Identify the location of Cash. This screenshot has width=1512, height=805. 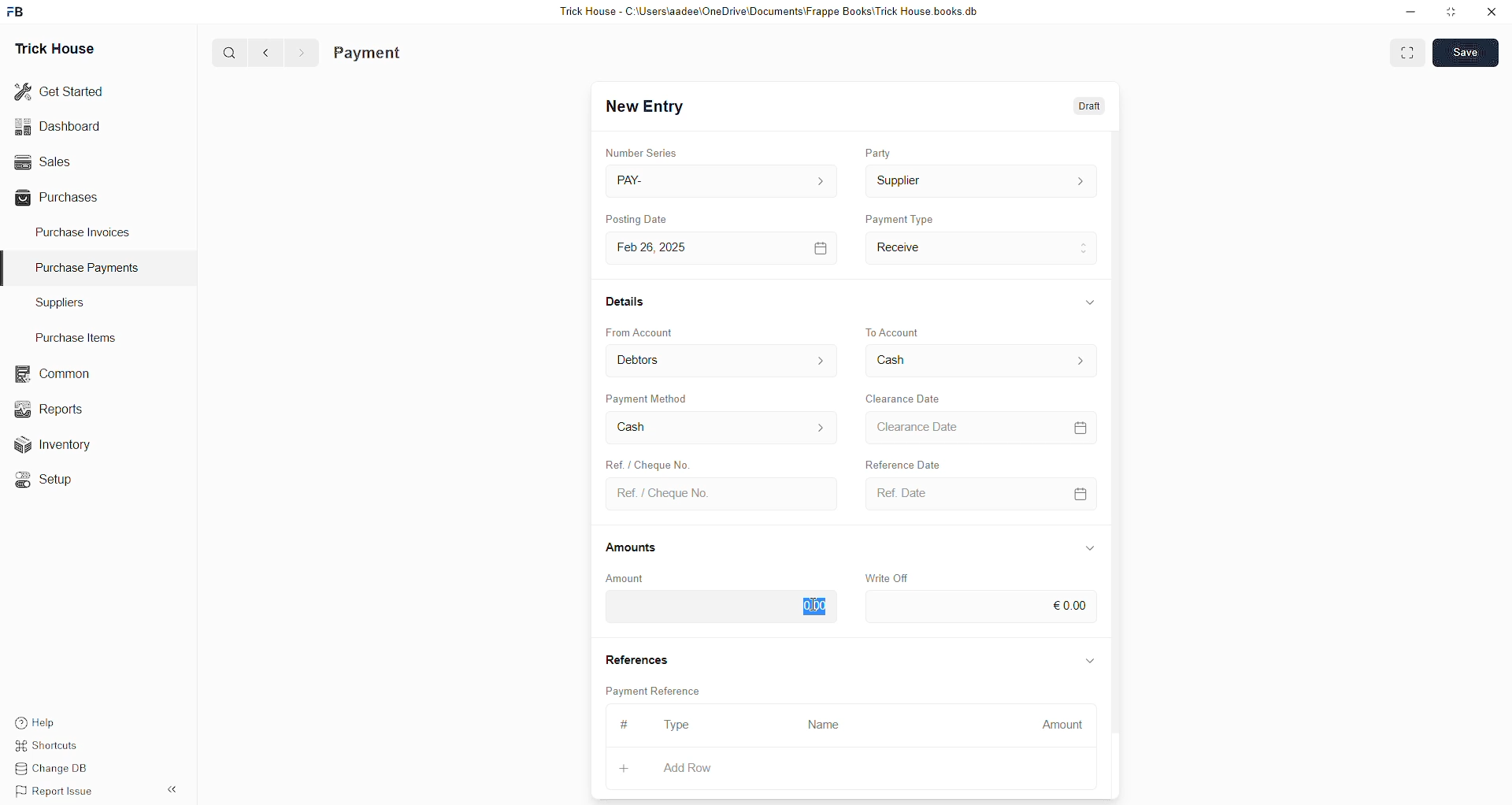
(719, 429).